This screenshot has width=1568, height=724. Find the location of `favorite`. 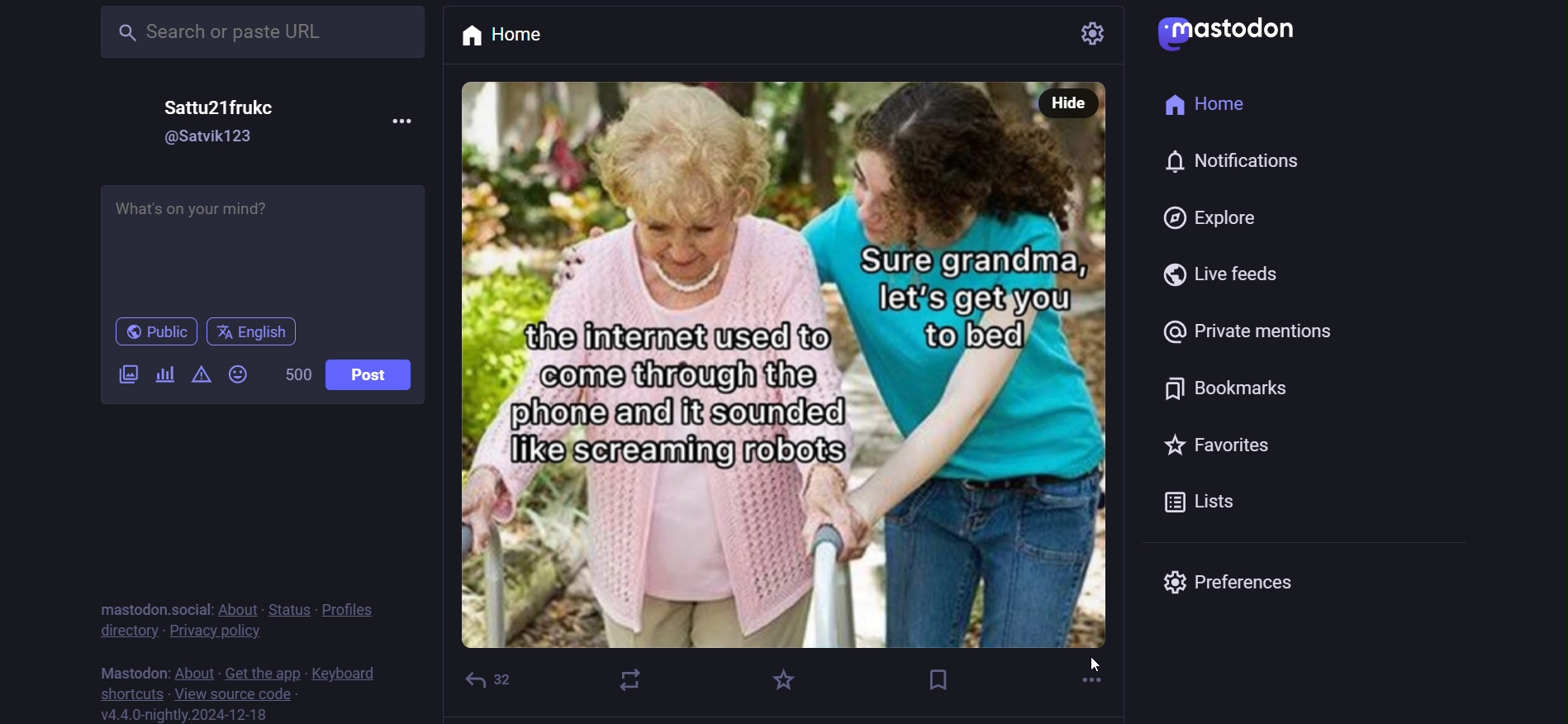

favorite is located at coordinates (1235, 441).